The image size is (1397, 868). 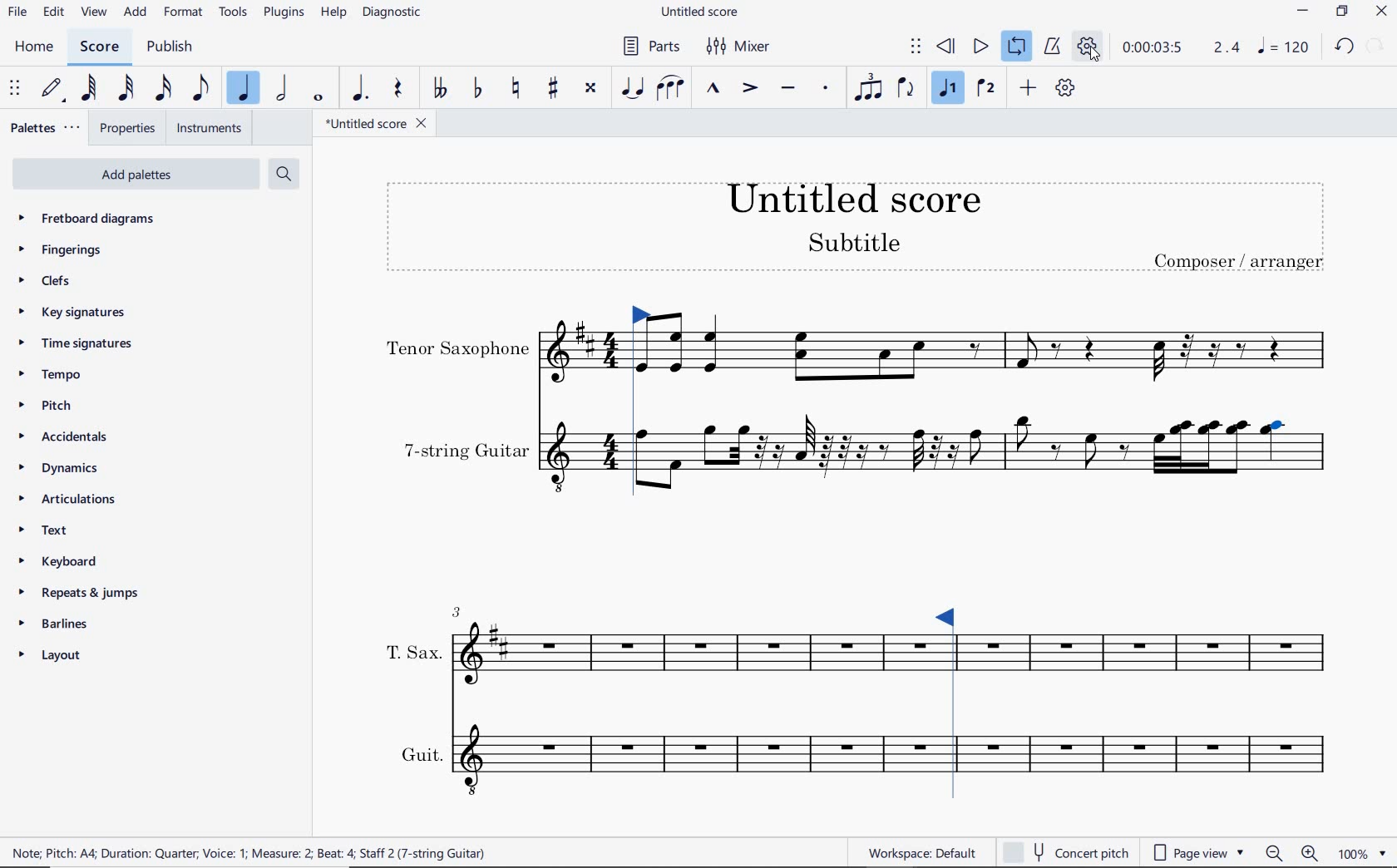 What do you see at coordinates (318, 100) in the screenshot?
I see `WHOLE NOTE` at bounding box center [318, 100].